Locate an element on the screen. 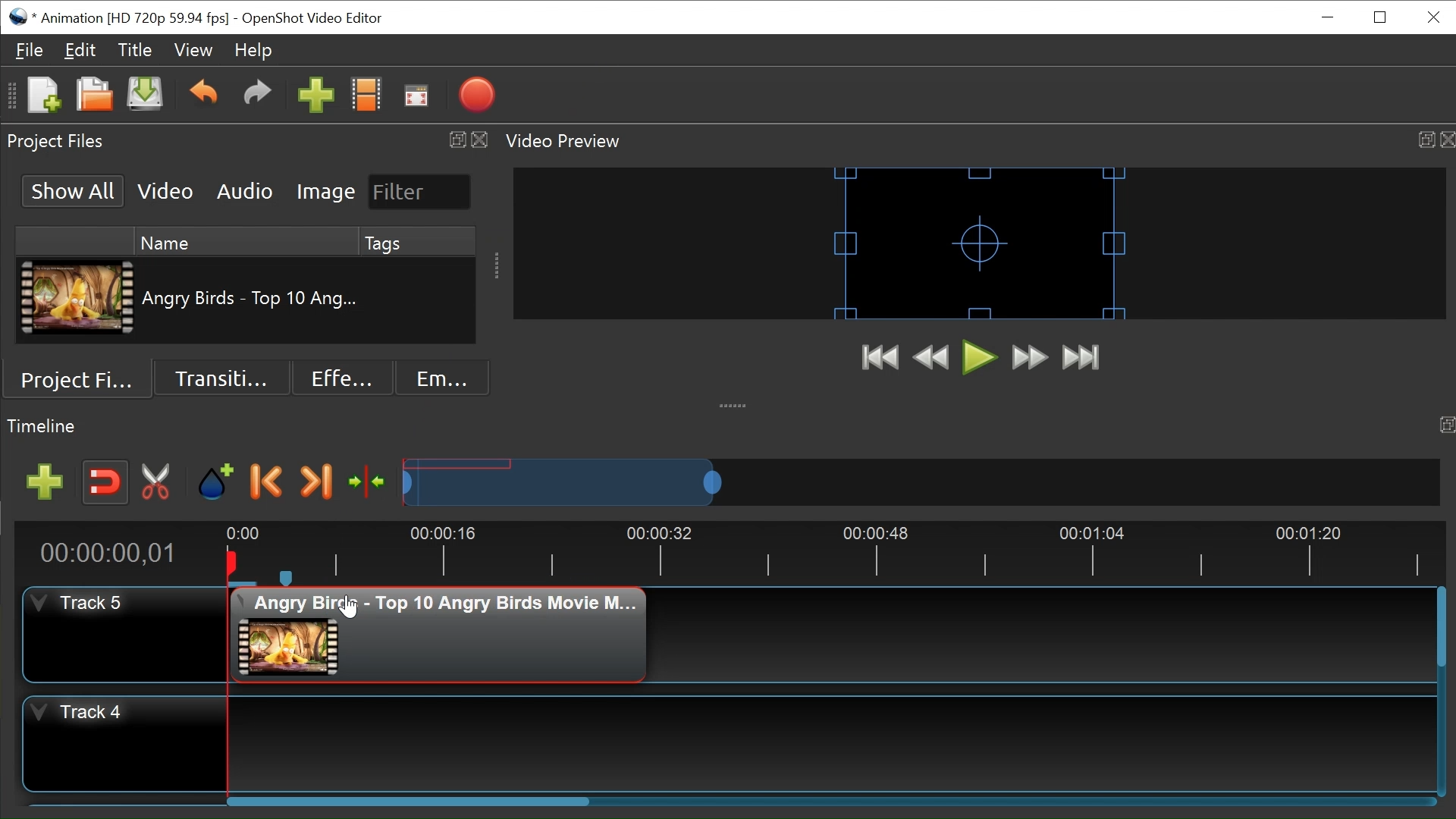 The height and width of the screenshot is (819, 1456). Open Project is located at coordinates (94, 97).